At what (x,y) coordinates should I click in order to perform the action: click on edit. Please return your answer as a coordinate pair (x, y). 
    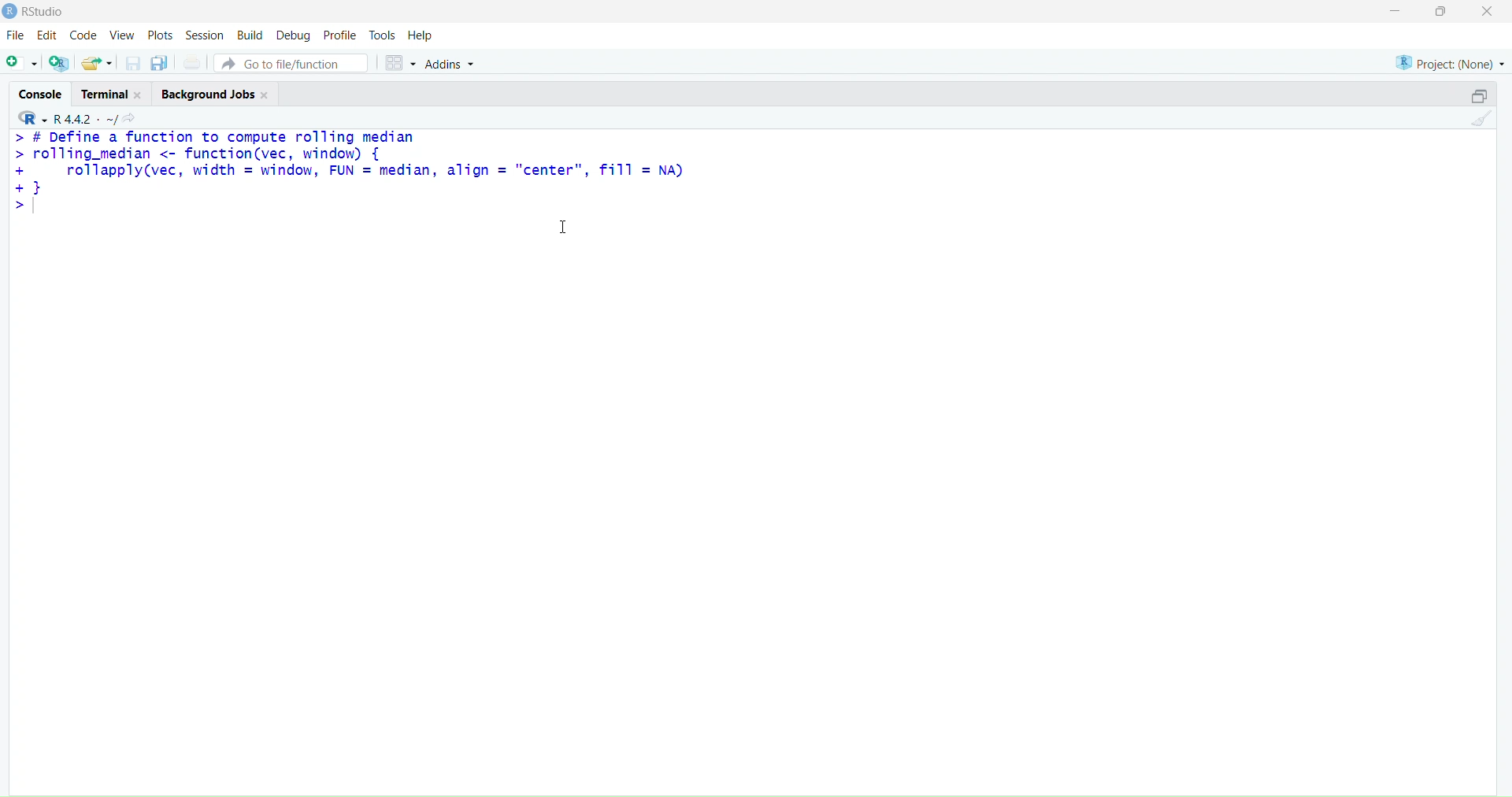
    Looking at the image, I should click on (47, 35).